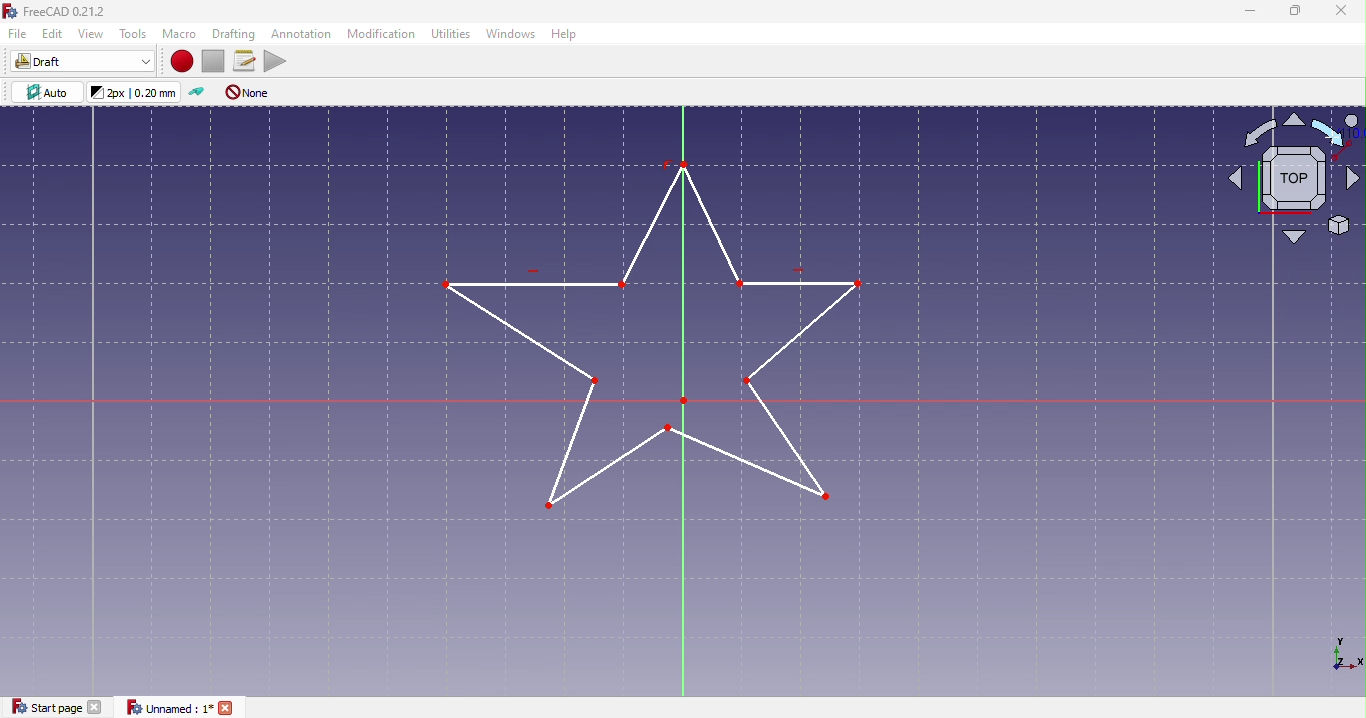  Describe the element at coordinates (1336, 138) in the screenshot. I see `cursor` at that location.